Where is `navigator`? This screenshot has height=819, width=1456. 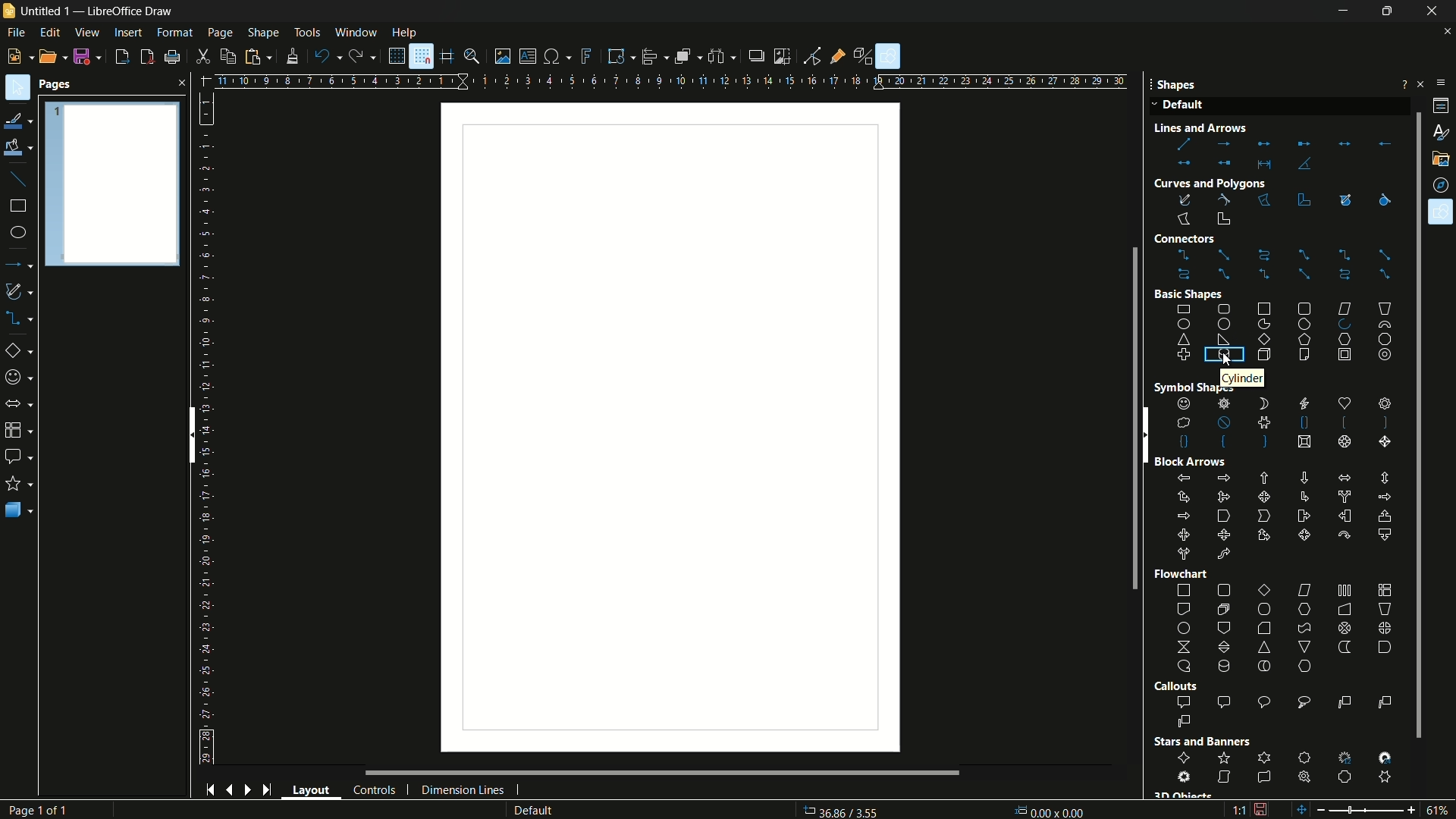
navigator is located at coordinates (1442, 185).